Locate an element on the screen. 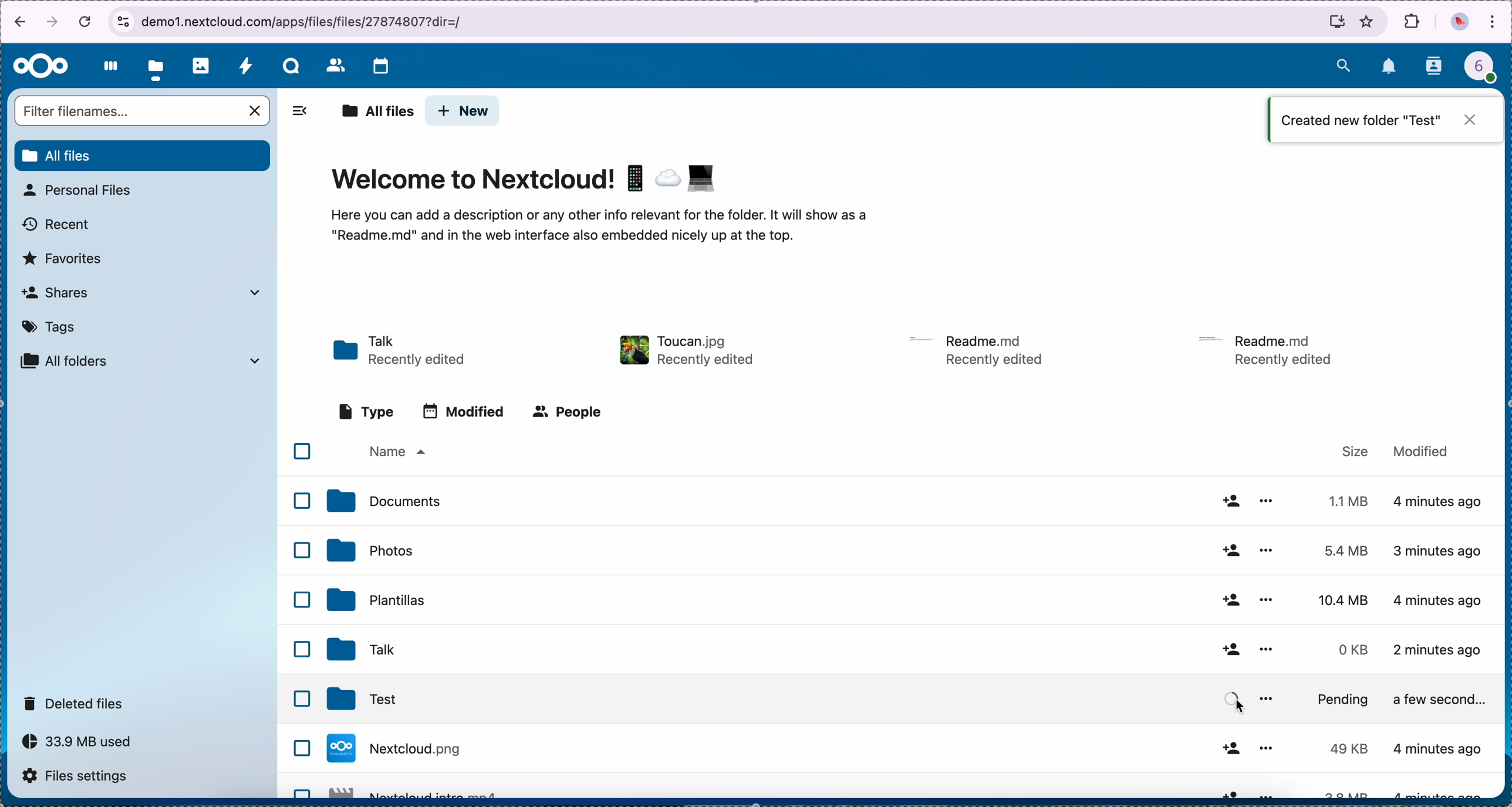 This screenshot has height=807, width=1512. modified is located at coordinates (1421, 450).